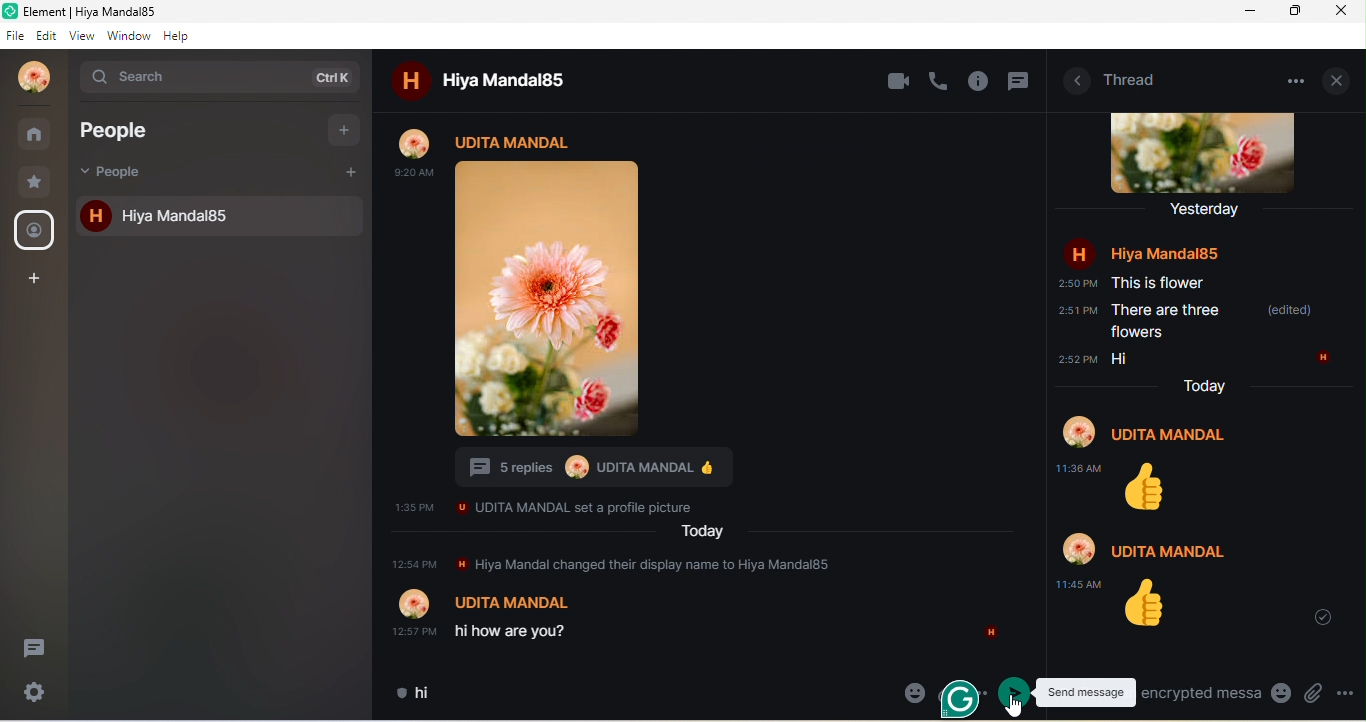  I want to click on Hiya Mandal changed their display name to Hiya Mandal85, so click(647, 565).